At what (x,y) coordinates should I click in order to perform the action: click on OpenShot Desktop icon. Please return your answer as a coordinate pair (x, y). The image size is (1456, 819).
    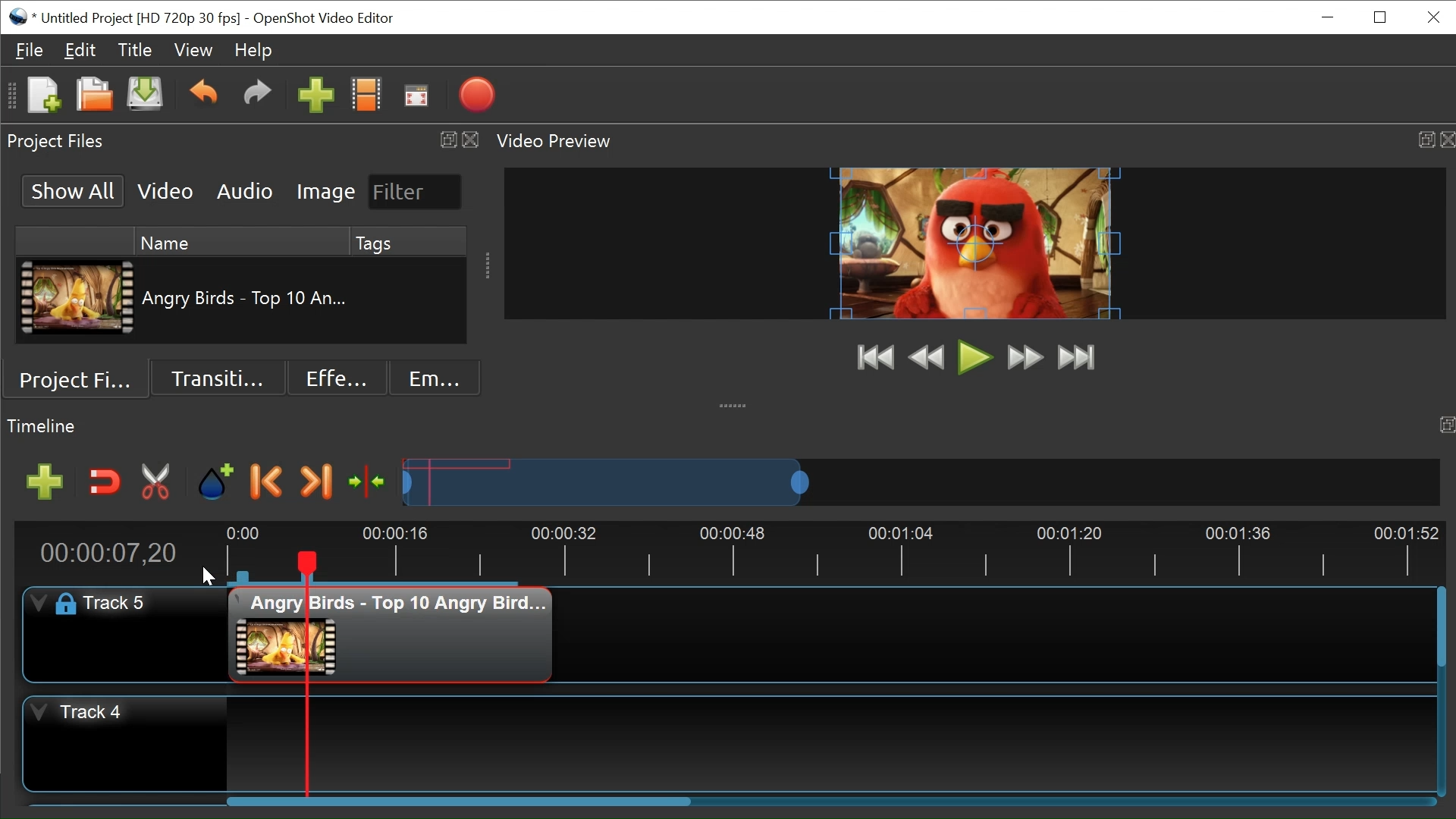
    Looking at the image, I should click on (21, 17).